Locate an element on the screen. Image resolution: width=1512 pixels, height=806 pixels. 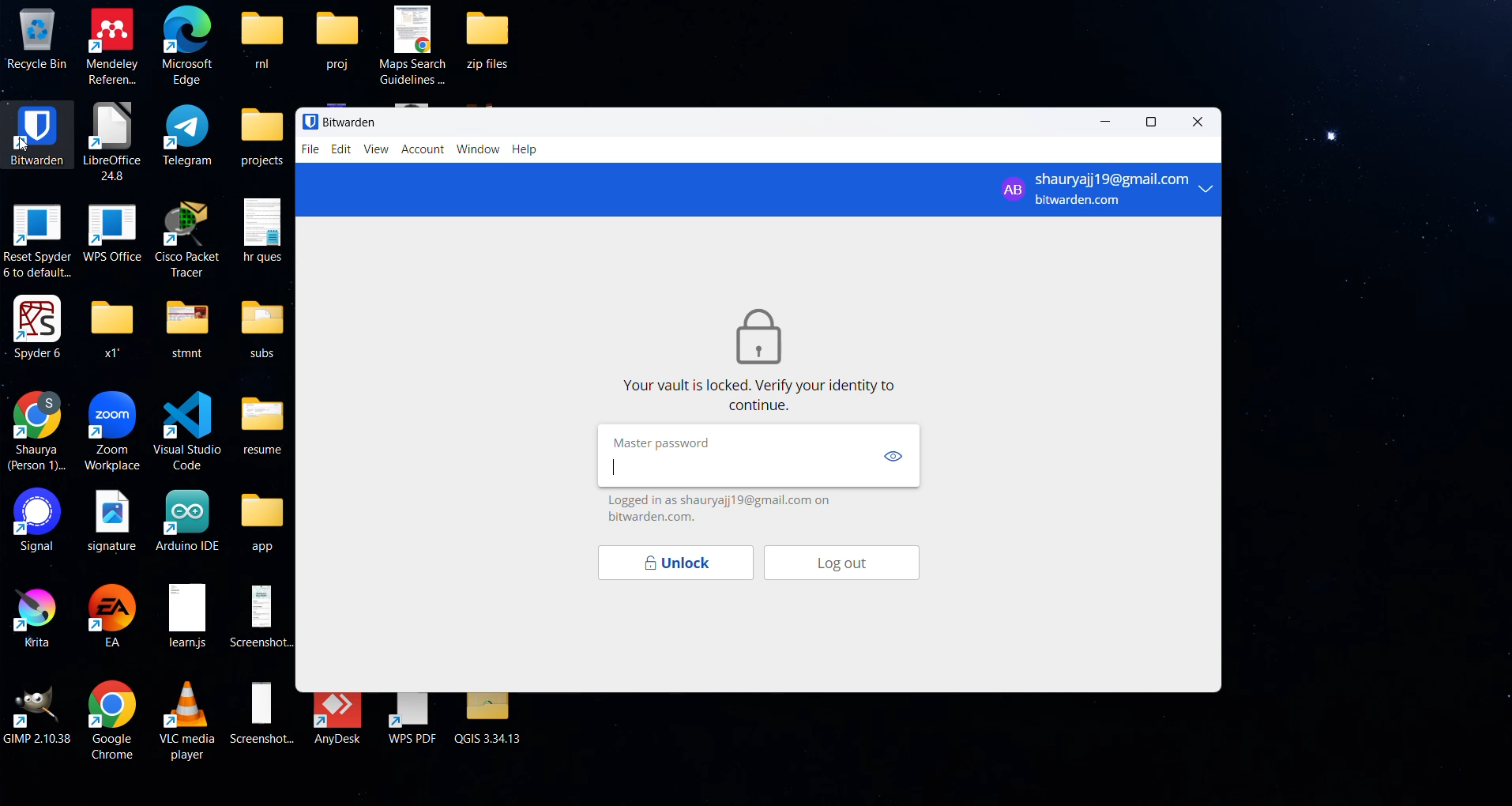
Figure is located at coordinates (758, 334).